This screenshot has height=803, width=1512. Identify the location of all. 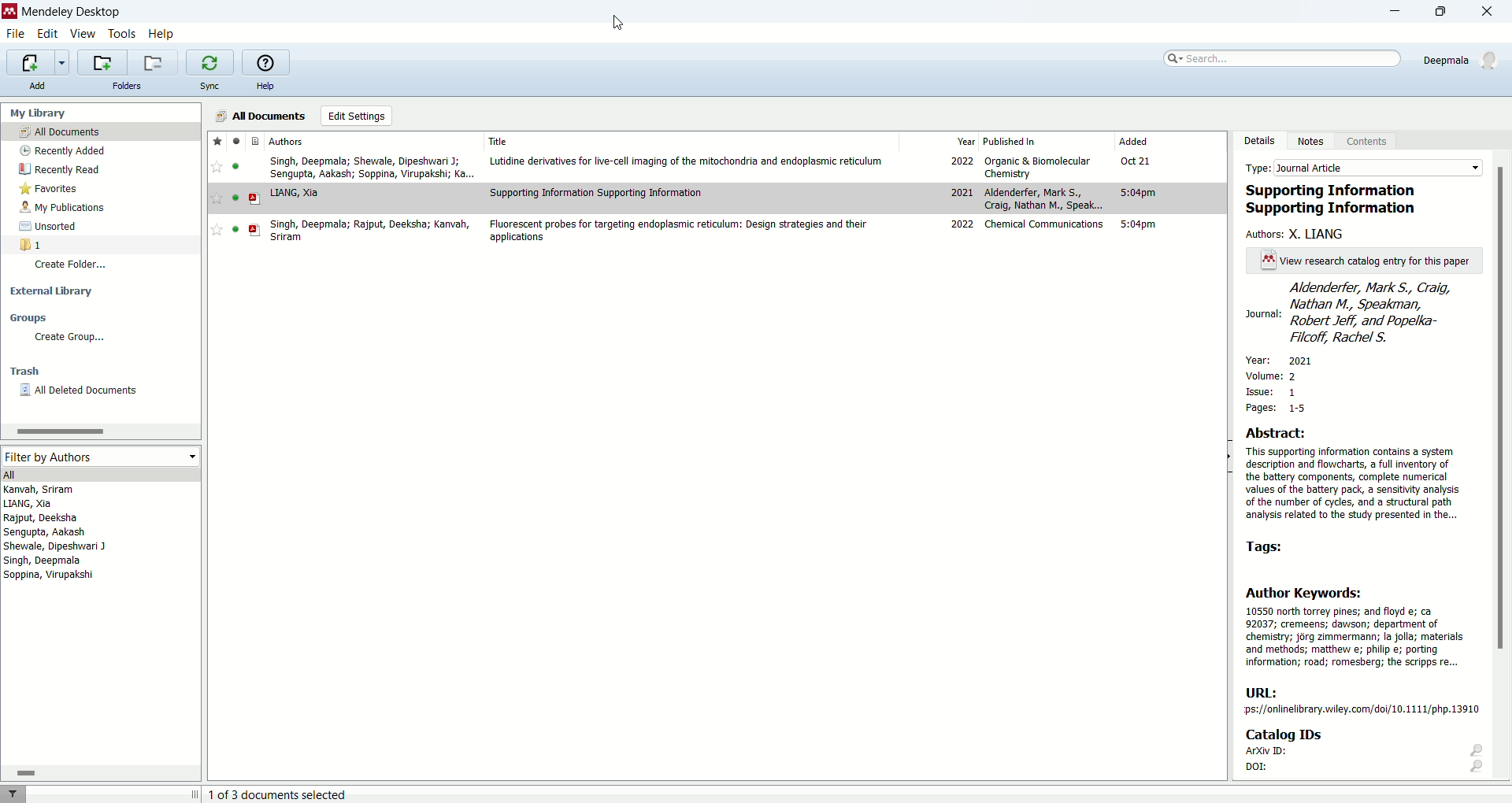
(98, 473).